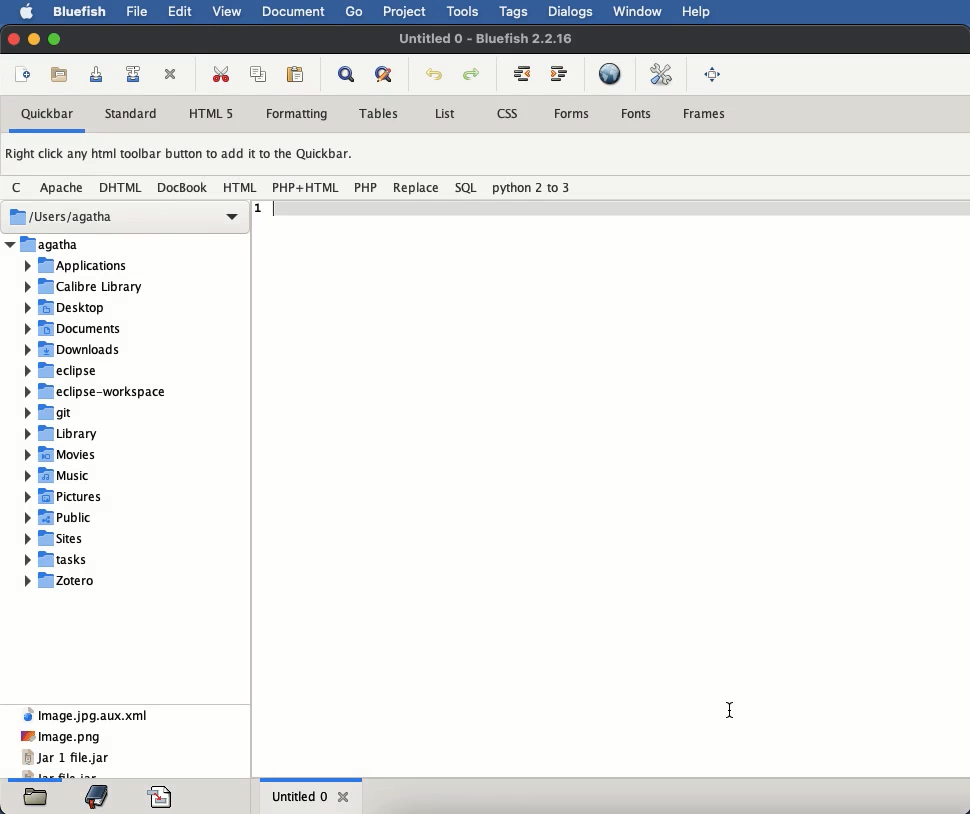 Image resolution: width=970 pixels, height=814 pixels. What do you see at coordinates (572, 12) in the screenshot?
I see `dialogs` at bounding box center [572, 12].